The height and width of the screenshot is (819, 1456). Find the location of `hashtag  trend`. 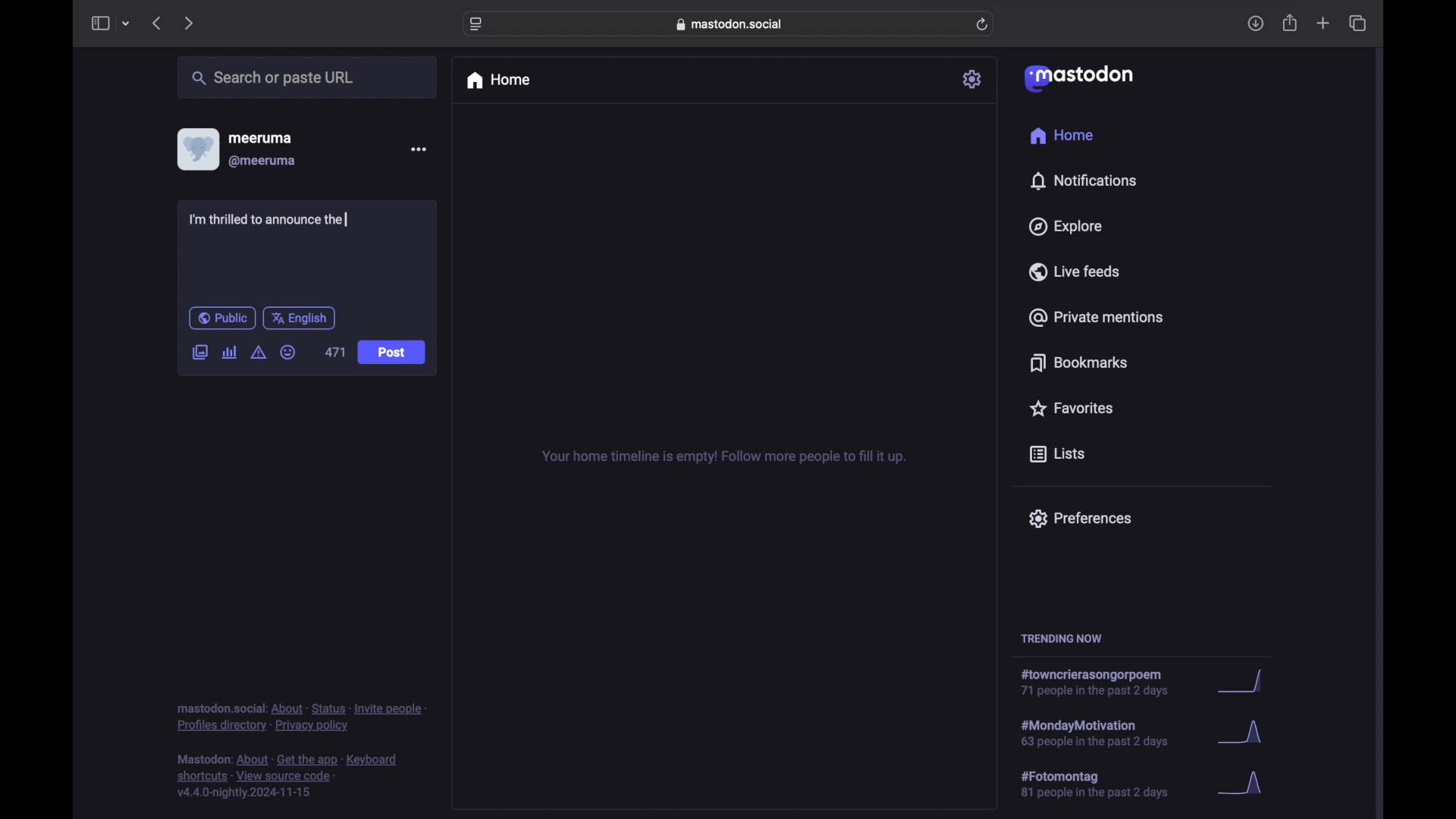

hashtag  trend is located at coordinates (1109, 732).